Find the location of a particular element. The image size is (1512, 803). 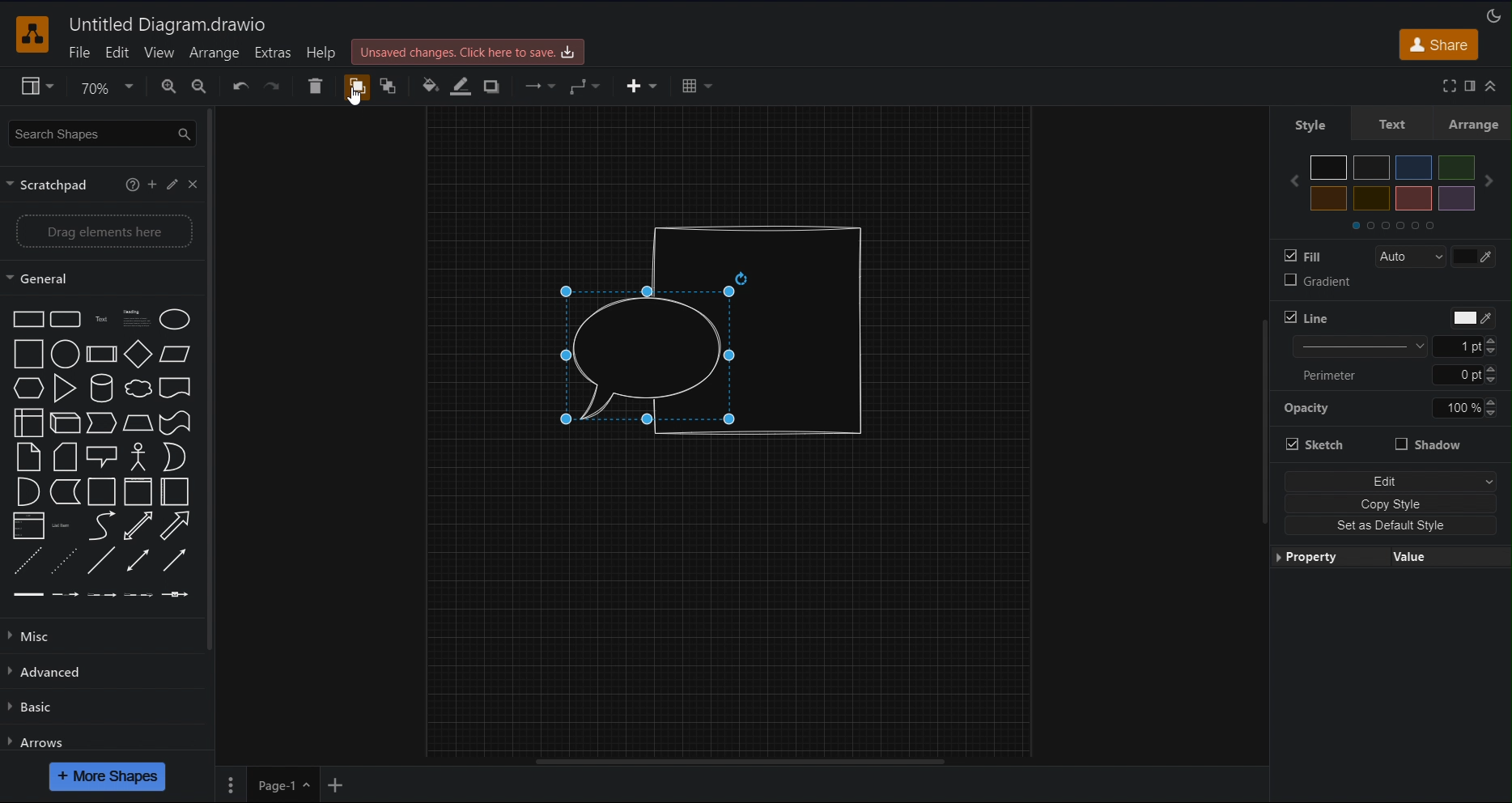

Manually input line thickness is located at coordinates (1458, 346).